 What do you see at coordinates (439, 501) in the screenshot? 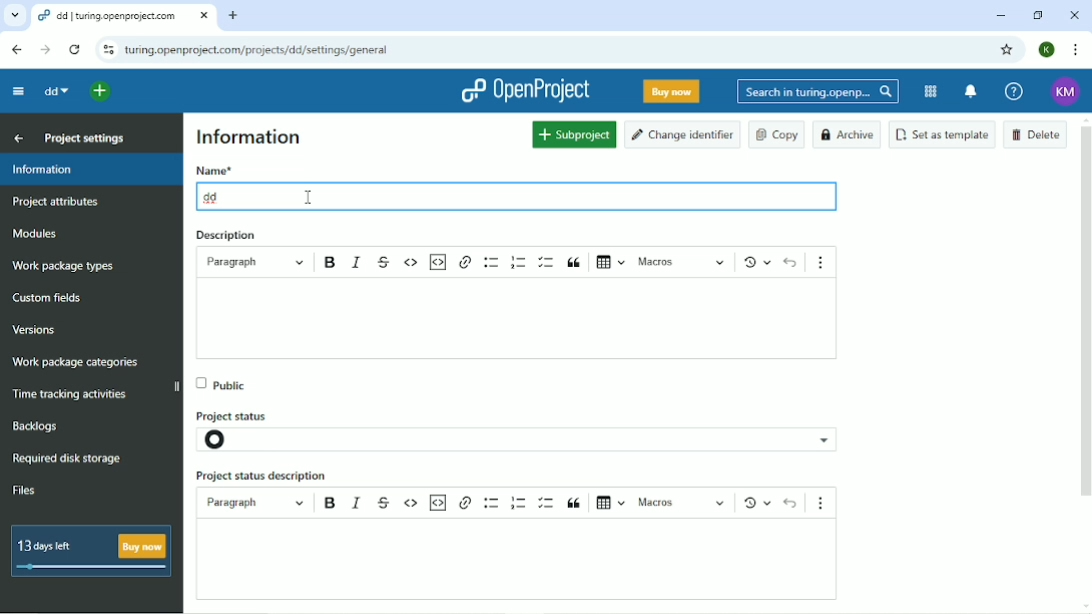
I see `insert code snippet` at bounding box center [439, 501].